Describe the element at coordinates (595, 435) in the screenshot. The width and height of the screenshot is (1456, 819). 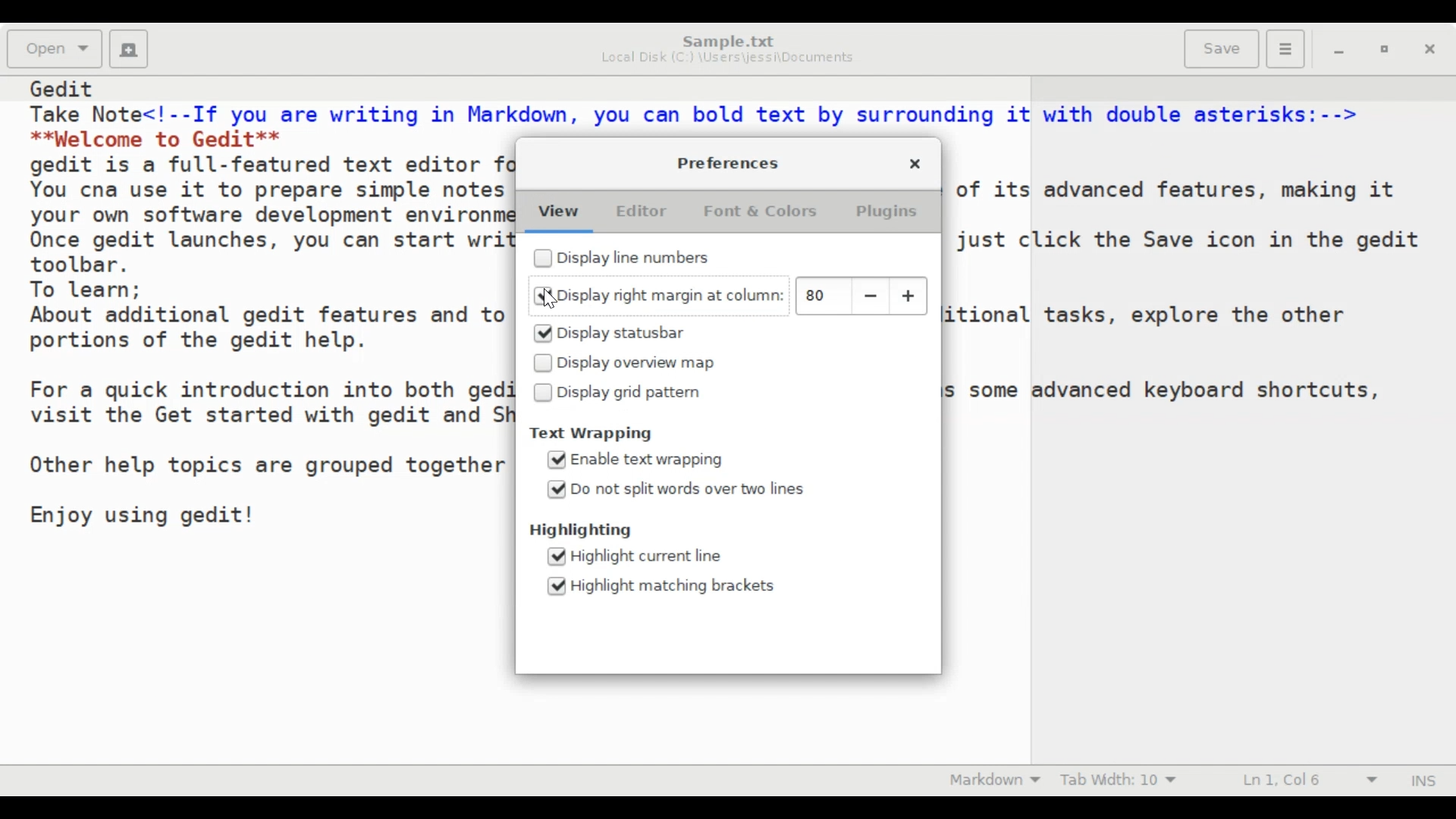
I see `Text Wrapping` at that location.